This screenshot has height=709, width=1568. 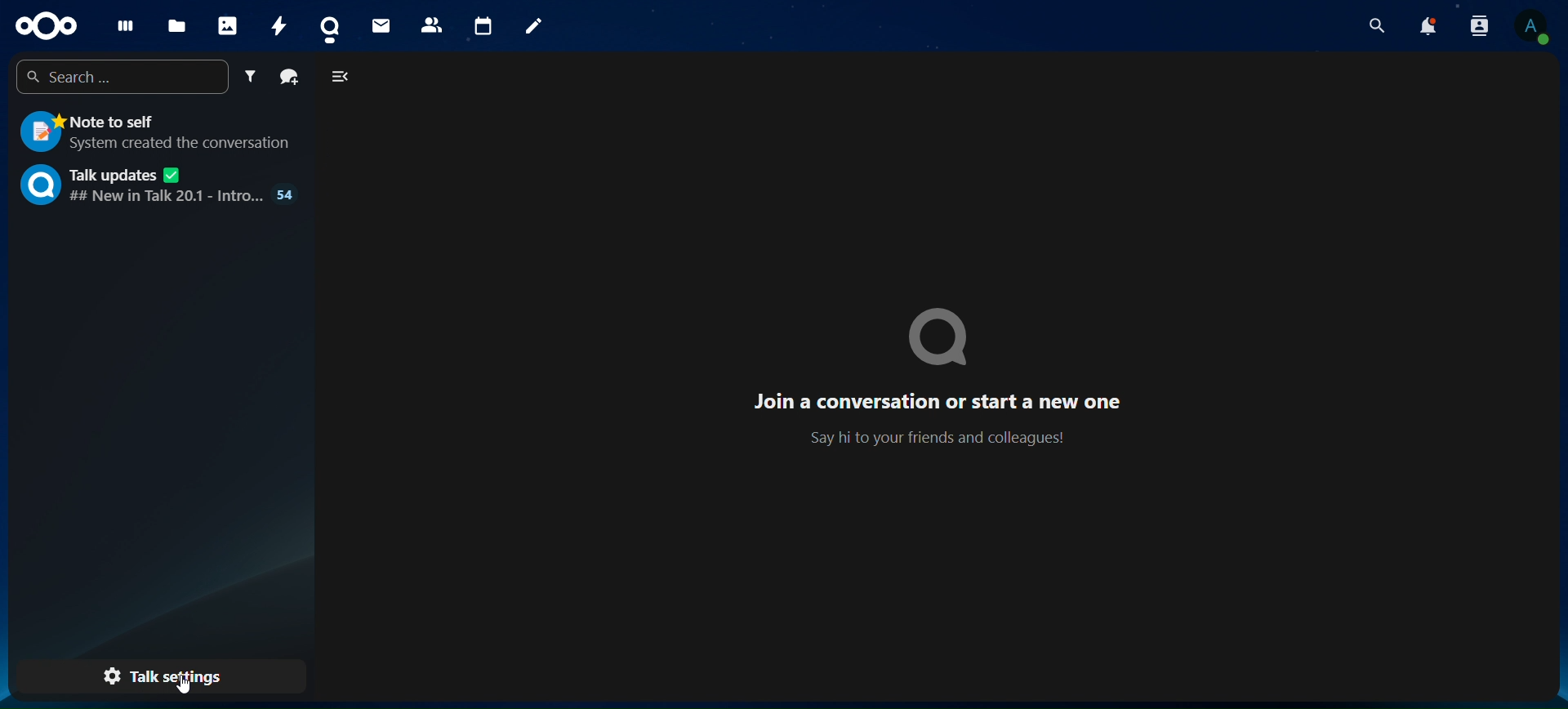 I want to click on text, so click(x=944, y=372).